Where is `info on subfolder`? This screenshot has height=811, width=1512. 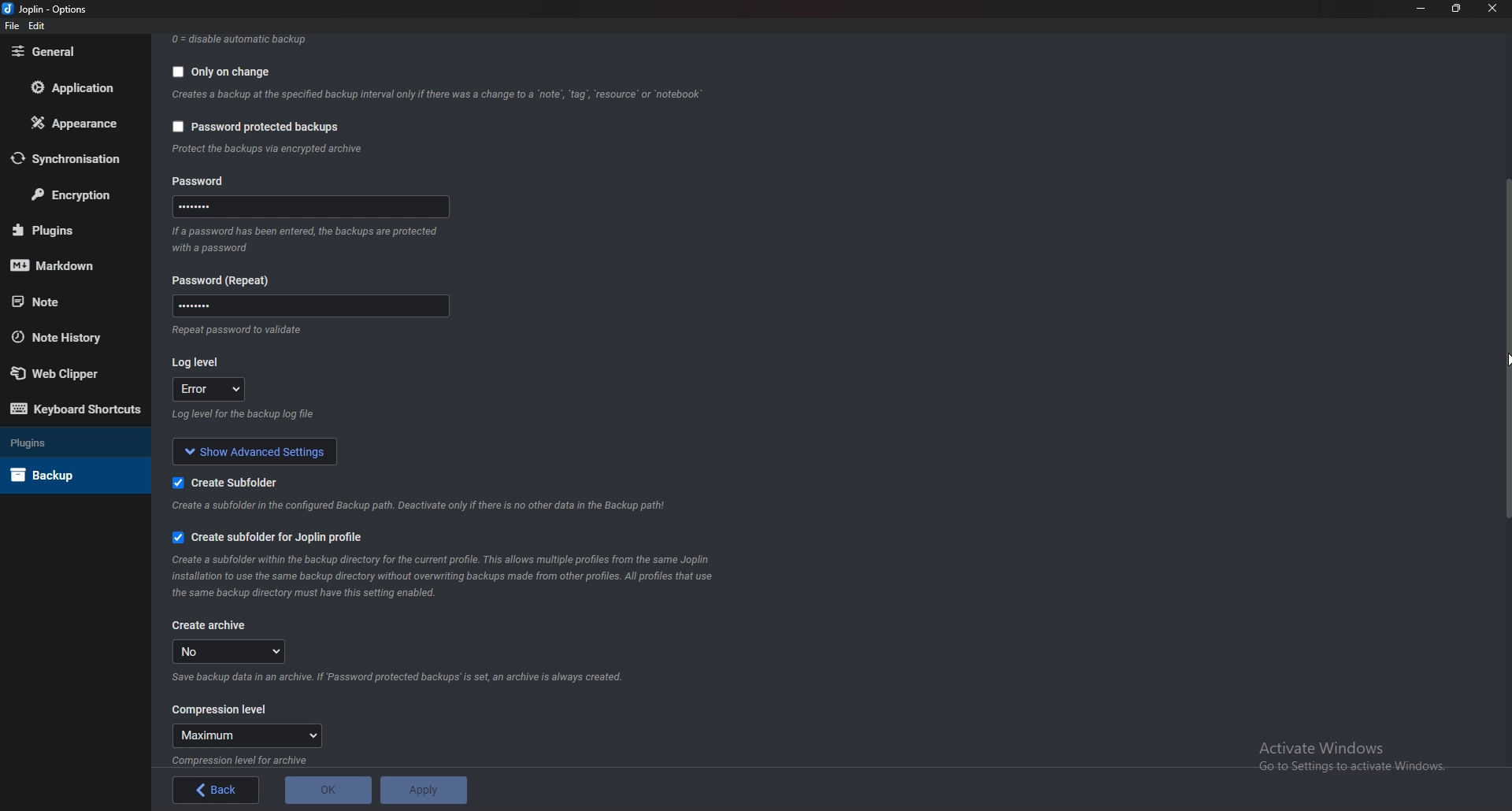 info on subfolder is located at coordinates (424, 505).